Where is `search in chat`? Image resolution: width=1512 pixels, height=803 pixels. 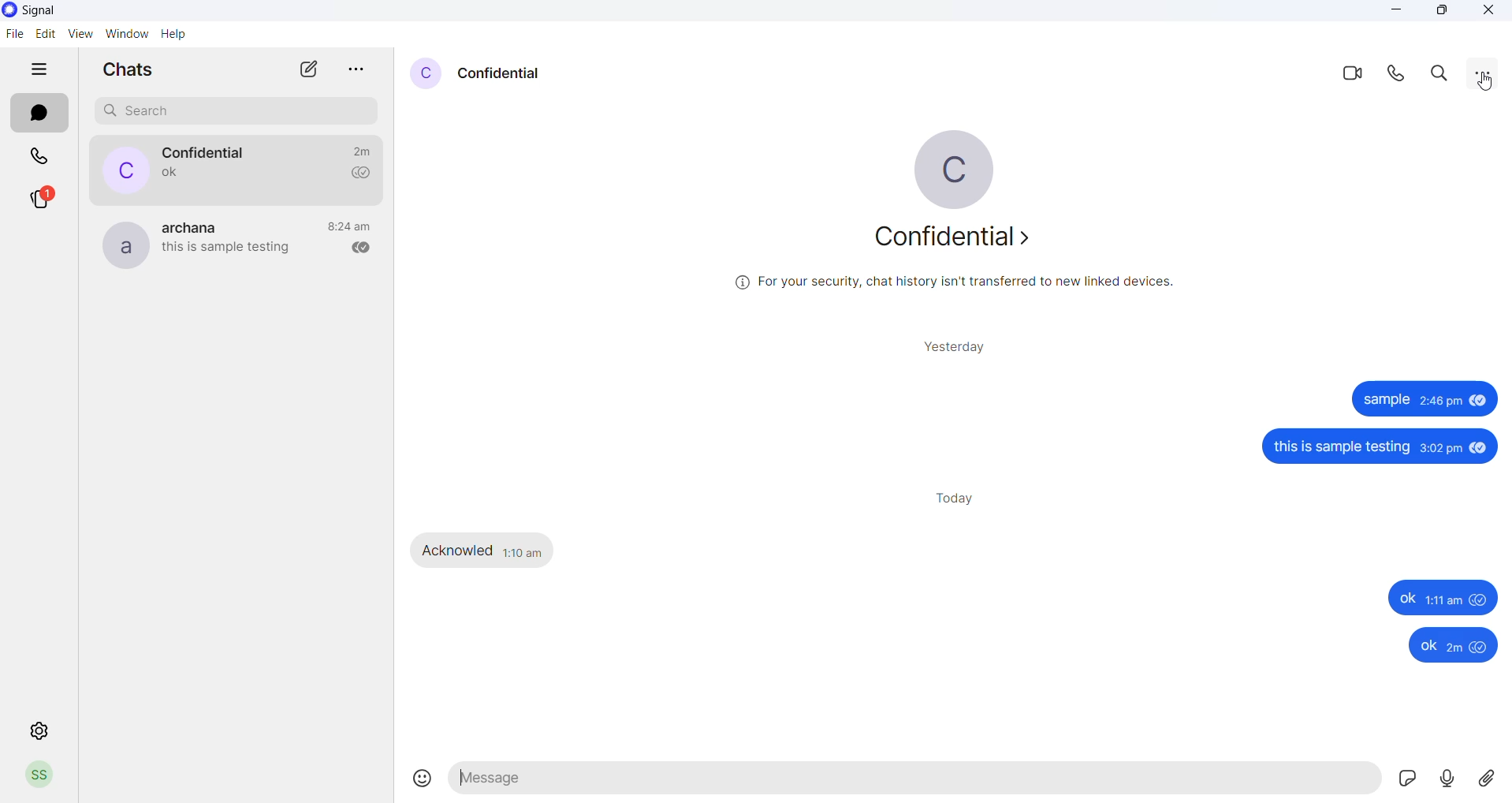
search in chat is located at coordinates (1435, 75).